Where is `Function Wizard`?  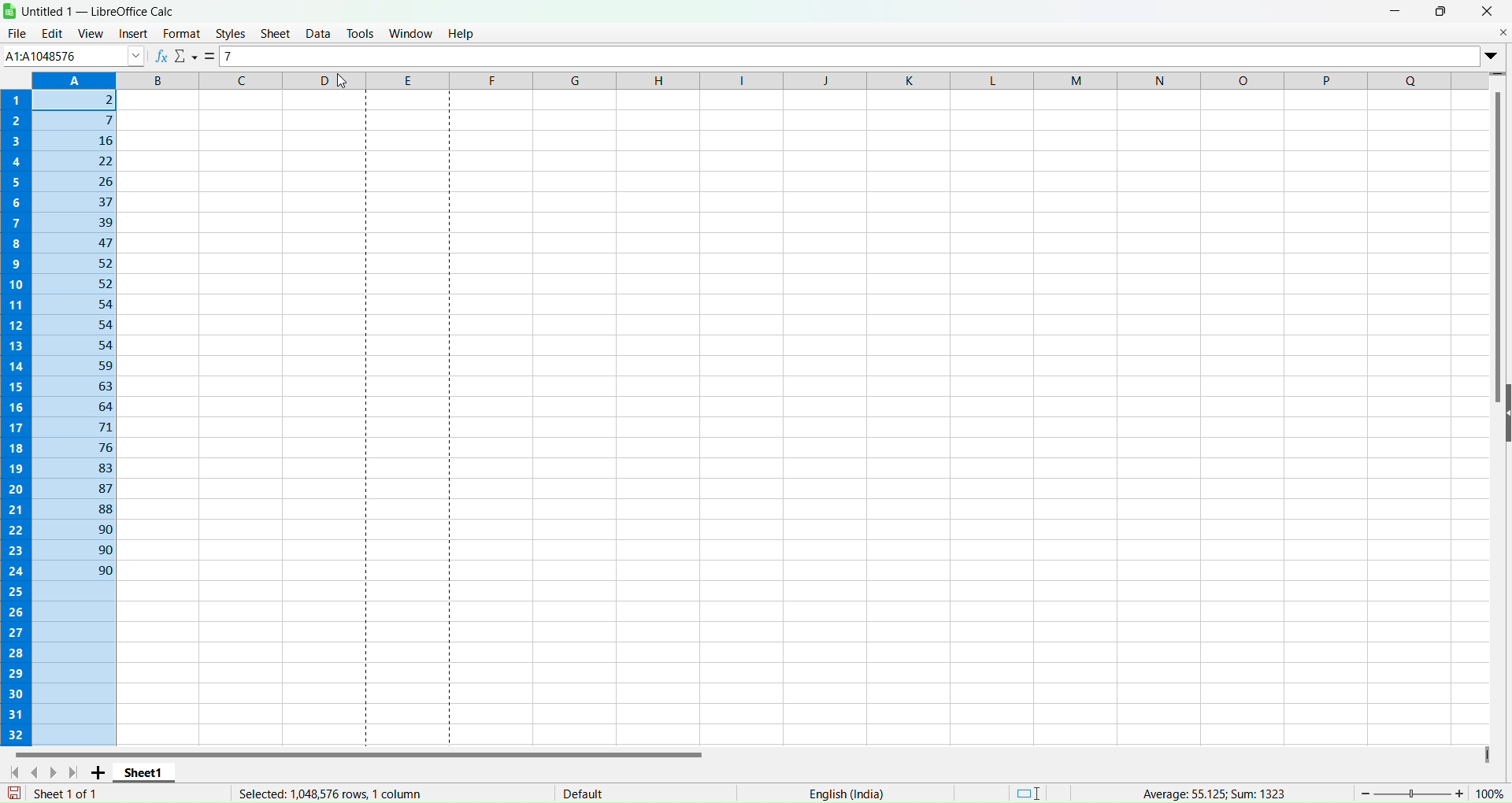
Function Wizard is located at coordinates (161, 56).